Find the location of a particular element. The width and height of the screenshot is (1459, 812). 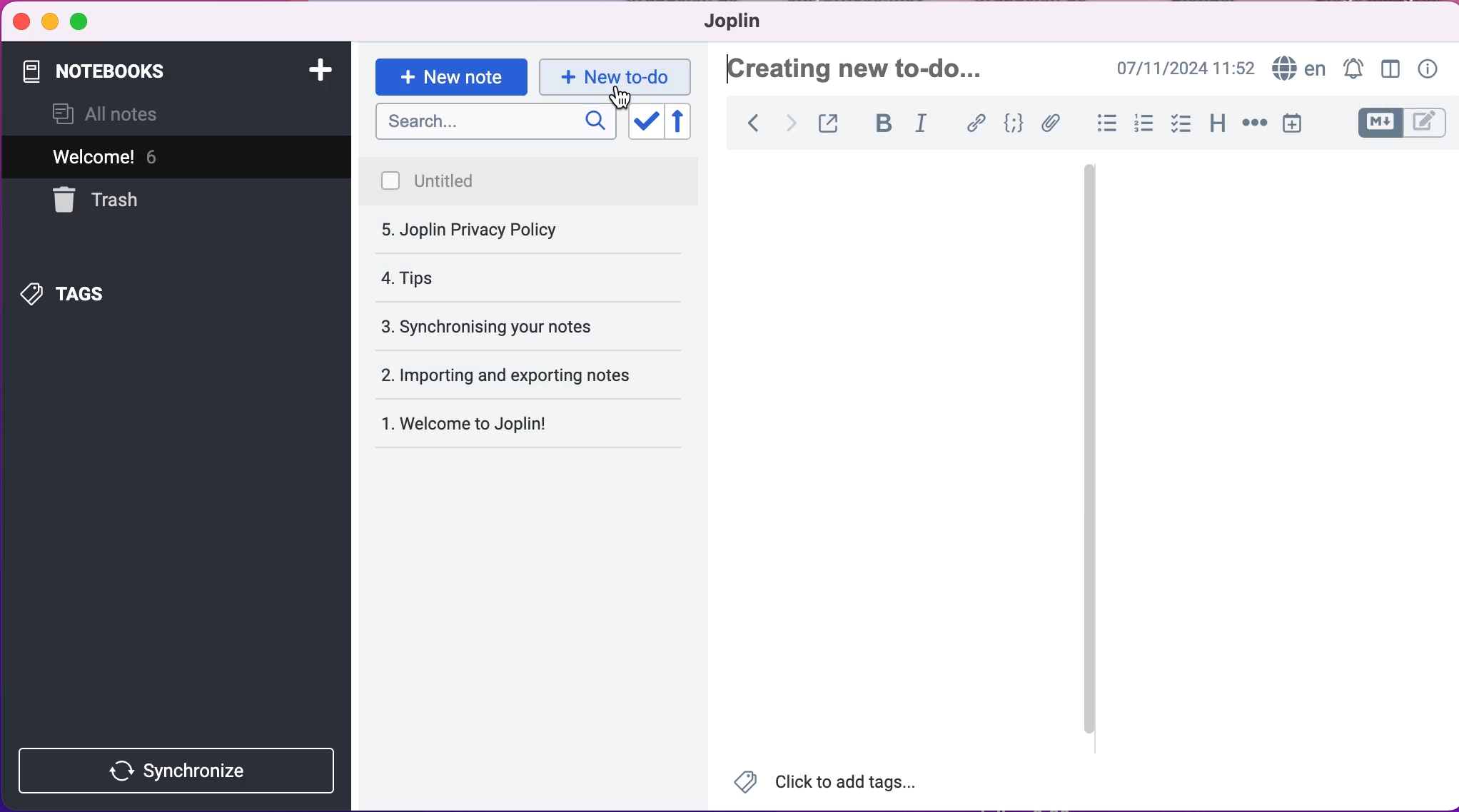

maximize is located at coordinates (85, 24).